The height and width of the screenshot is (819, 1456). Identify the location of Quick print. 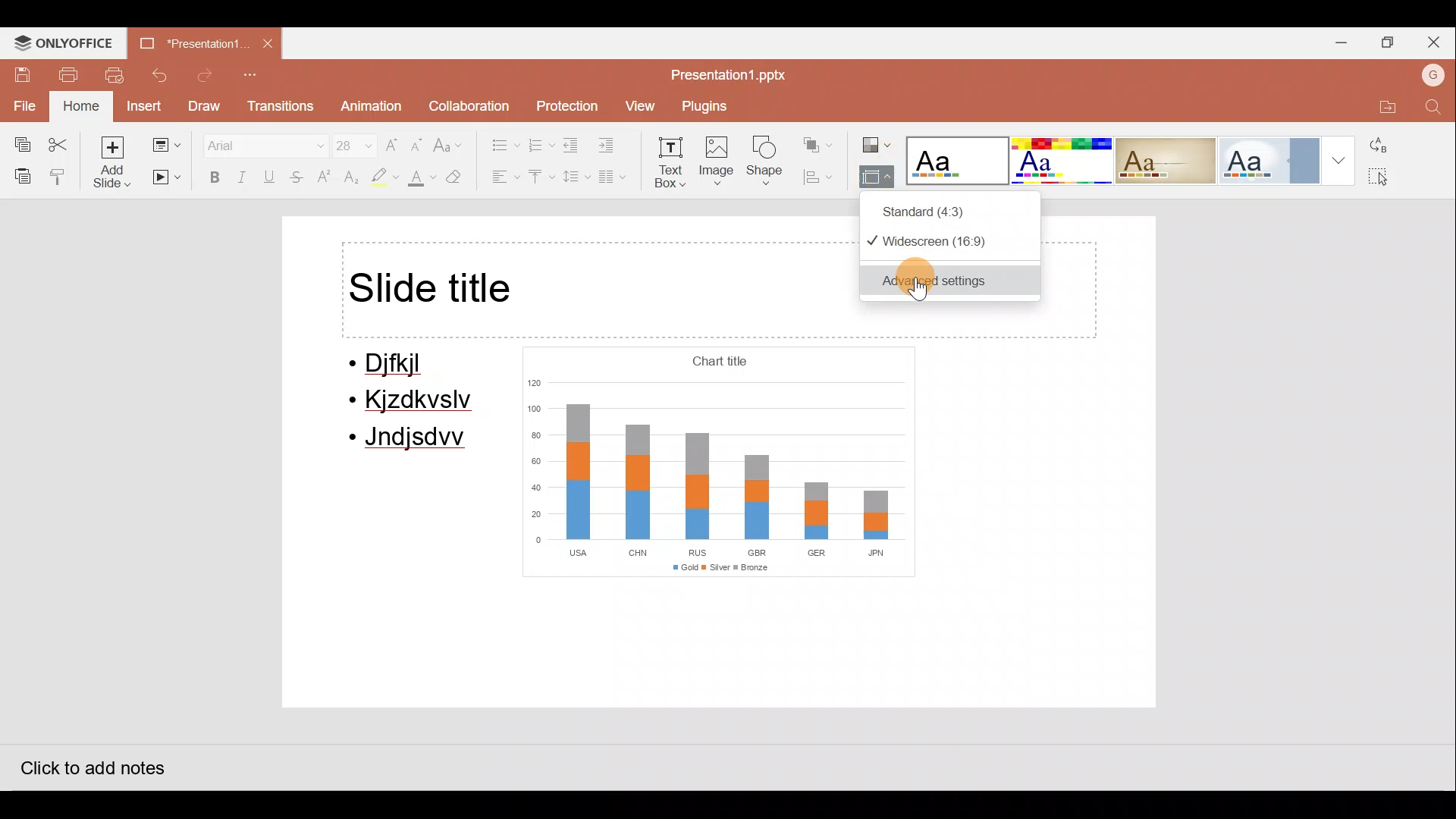
(118, 76).